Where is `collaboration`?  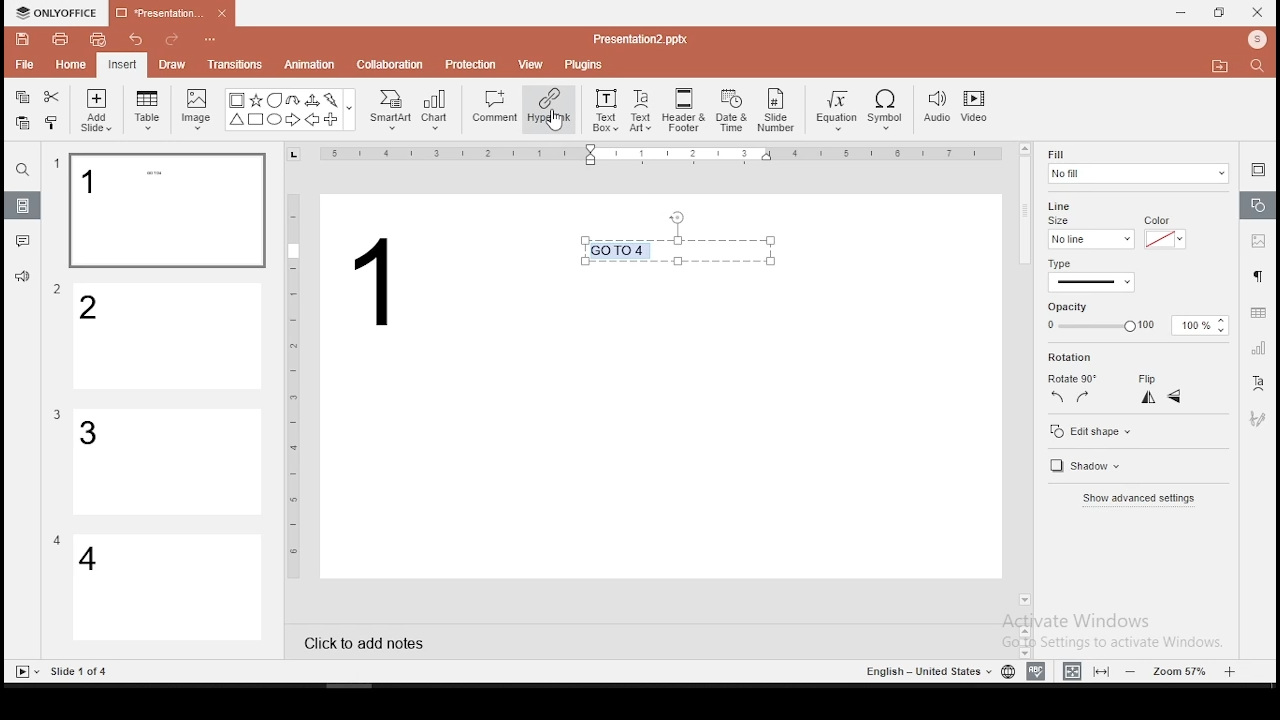 collaboration is located at coordinates (392, 63).